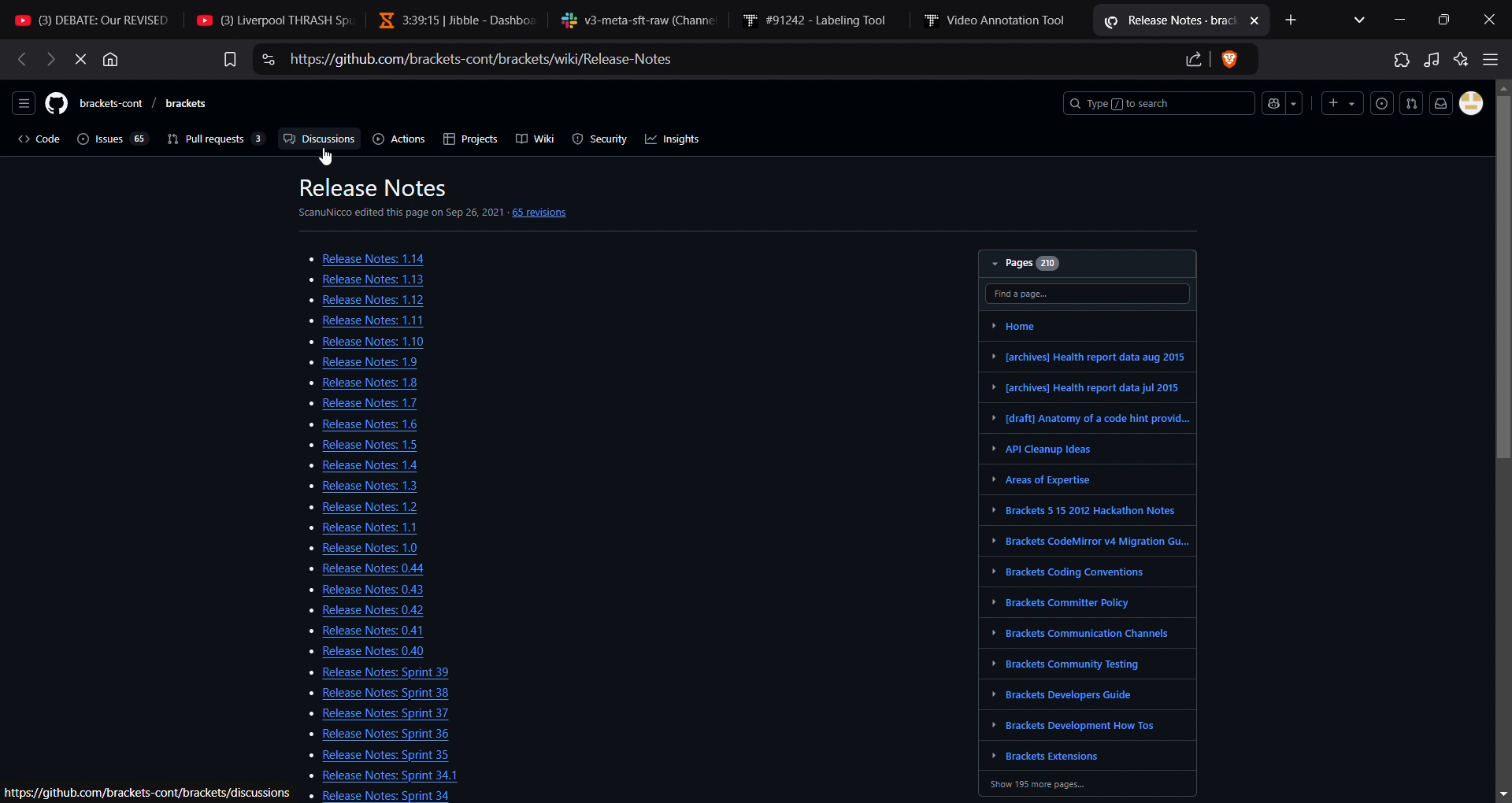 This screenshot has height=803, width=1512. What do you see at coordinates (210, 139) in the screenshot?
I see `pull requests` at bounding box center [210, 139].